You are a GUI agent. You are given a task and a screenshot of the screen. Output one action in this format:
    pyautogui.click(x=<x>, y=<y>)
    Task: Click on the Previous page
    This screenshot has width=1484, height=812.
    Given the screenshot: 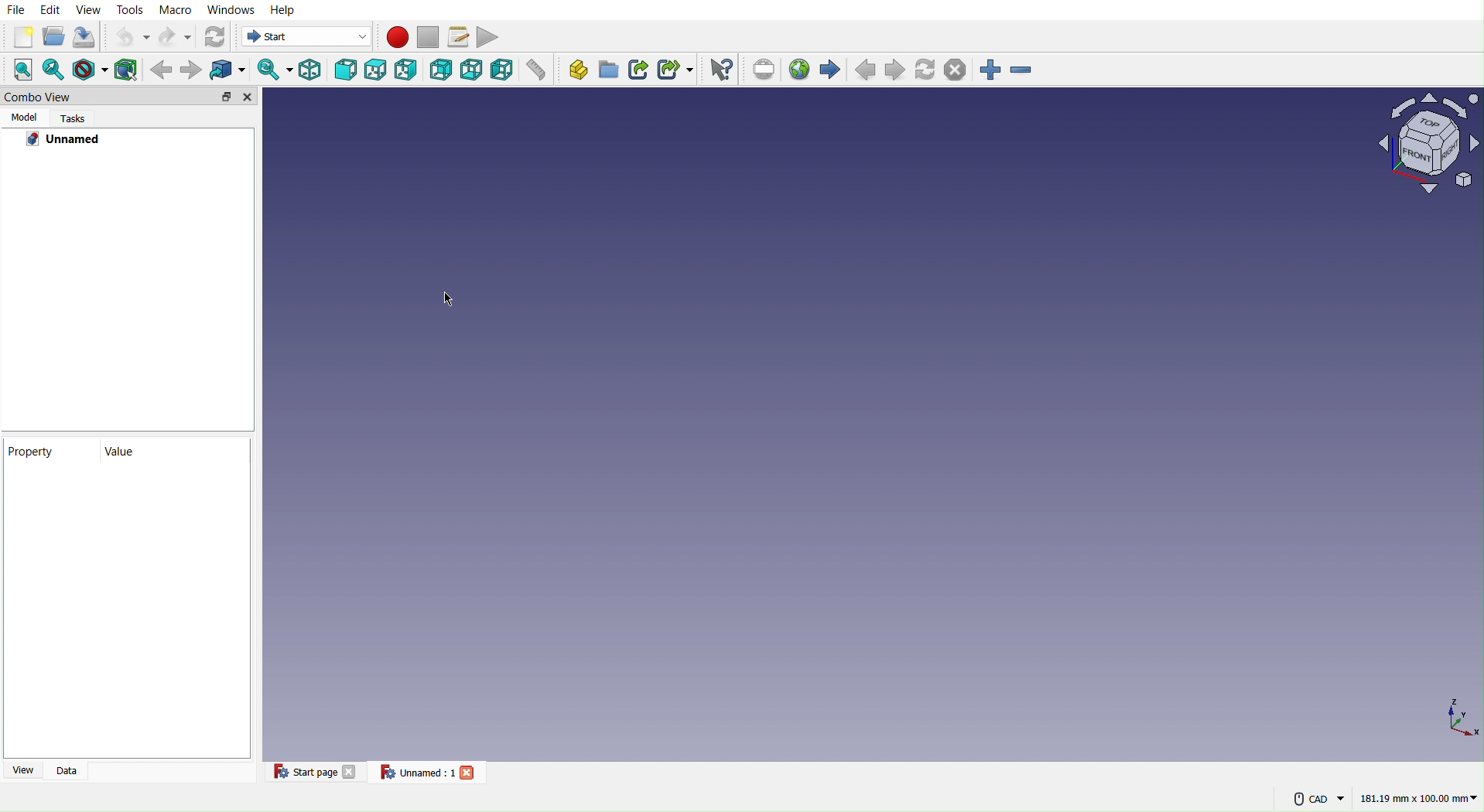 What is the action you would take?
    pyautogui.click(x=865, y=70)
    